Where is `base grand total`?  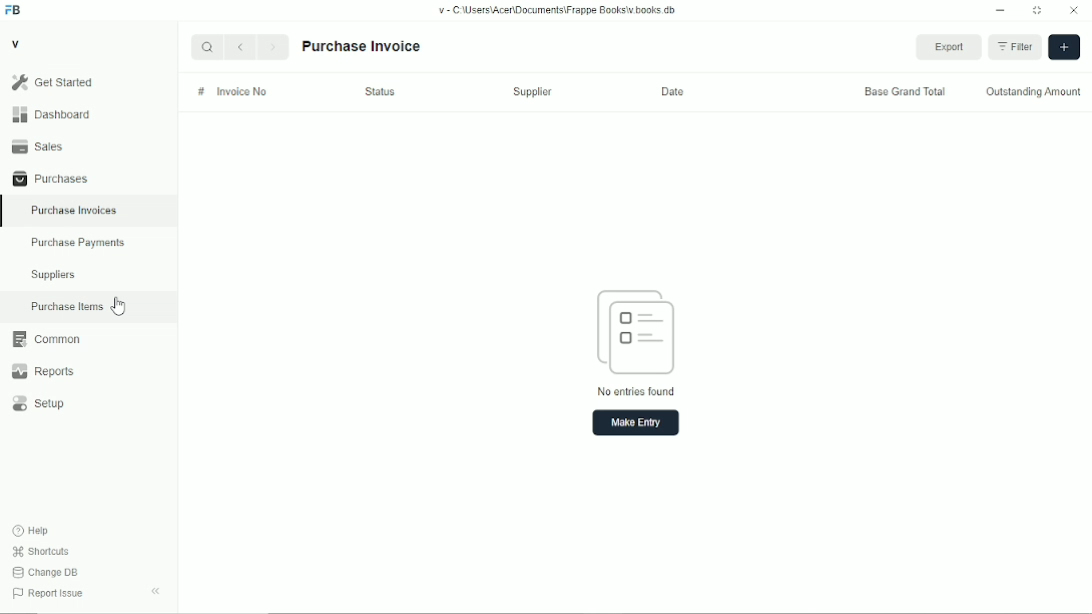
base grand total is located at coordinates (905, 92).